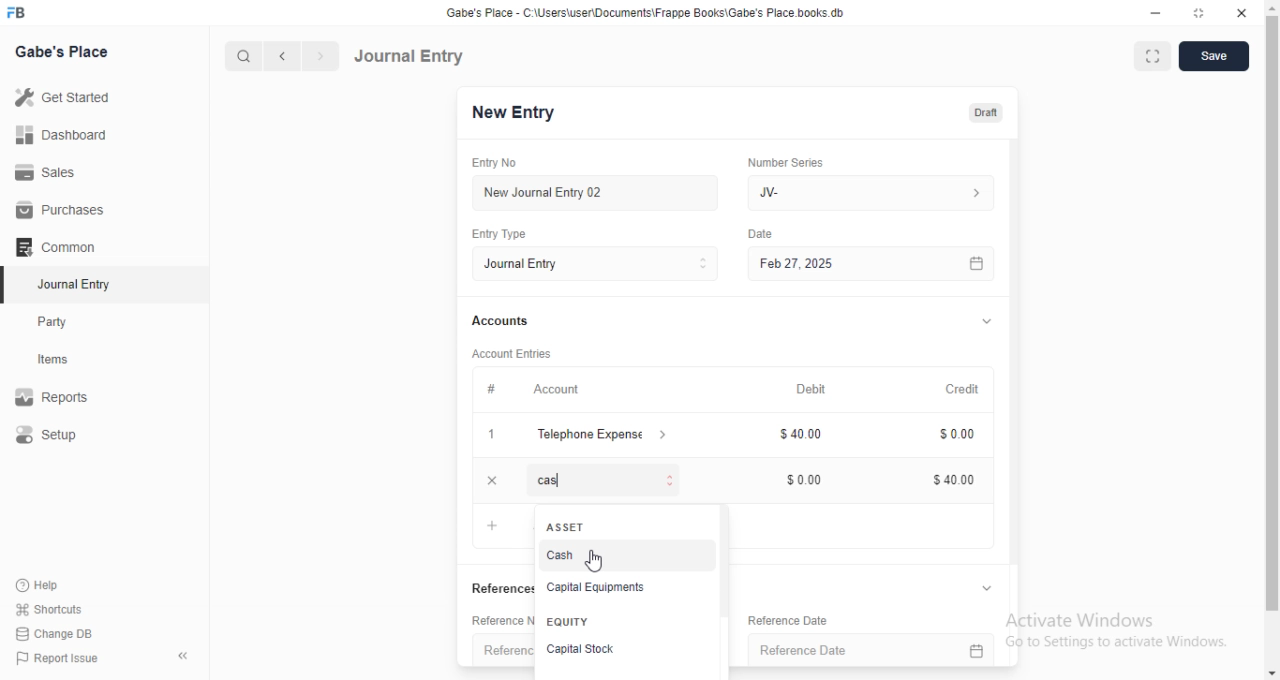 Image resolution: width=1280 pixels, height=680 pixels. Describe the element at coordinates (989, 112) in the screenshot. I see `Draft` at that location.